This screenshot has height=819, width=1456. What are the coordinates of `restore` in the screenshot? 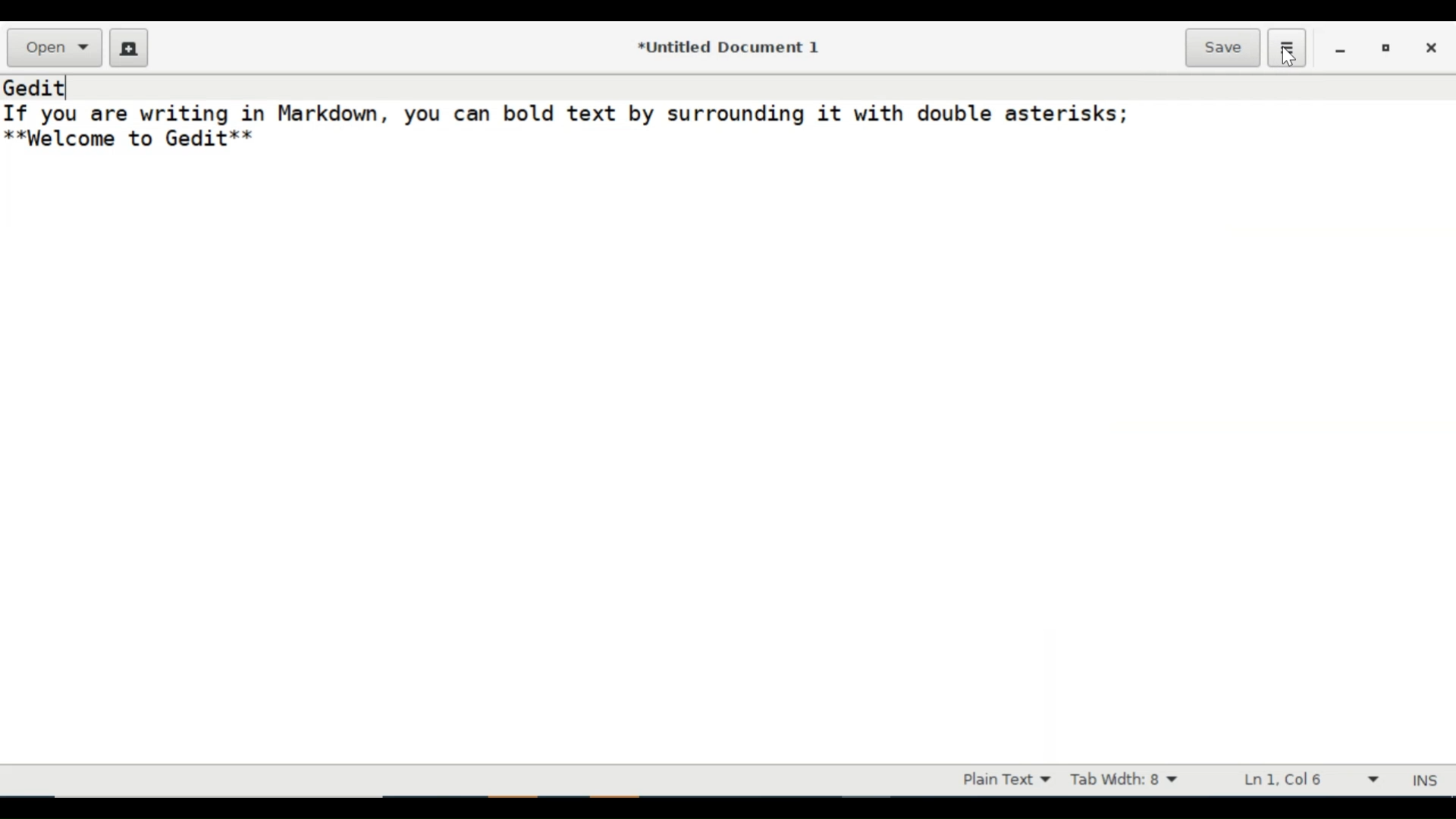 It's located at (1391, 48).